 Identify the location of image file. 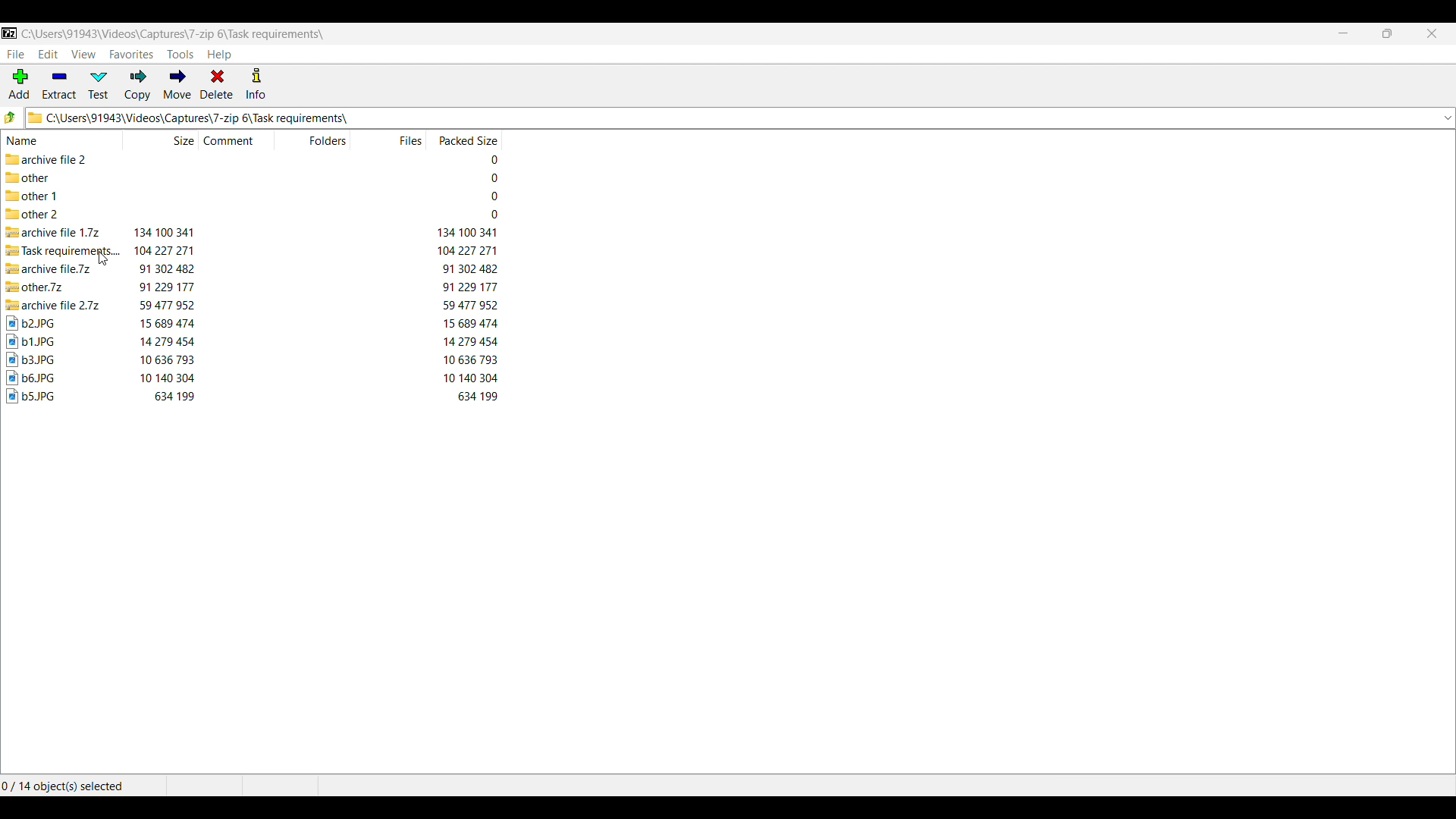
(35, 340).